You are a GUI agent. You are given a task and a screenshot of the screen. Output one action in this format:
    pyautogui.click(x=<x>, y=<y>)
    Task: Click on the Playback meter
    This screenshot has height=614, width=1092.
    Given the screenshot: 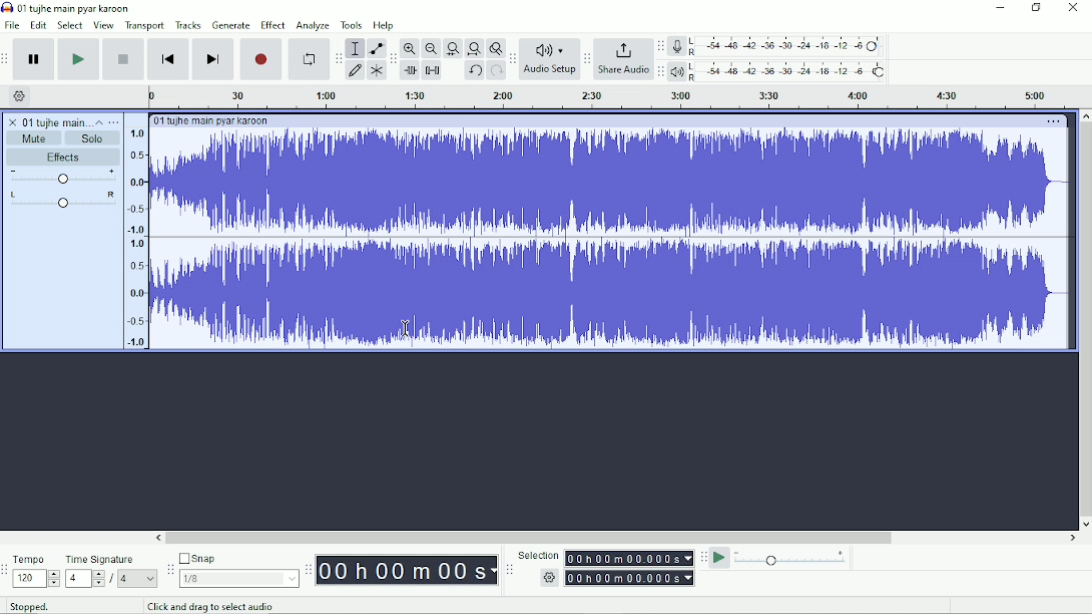 What is the action you would take?
    pyautogui.click(x=781, y=72)
    